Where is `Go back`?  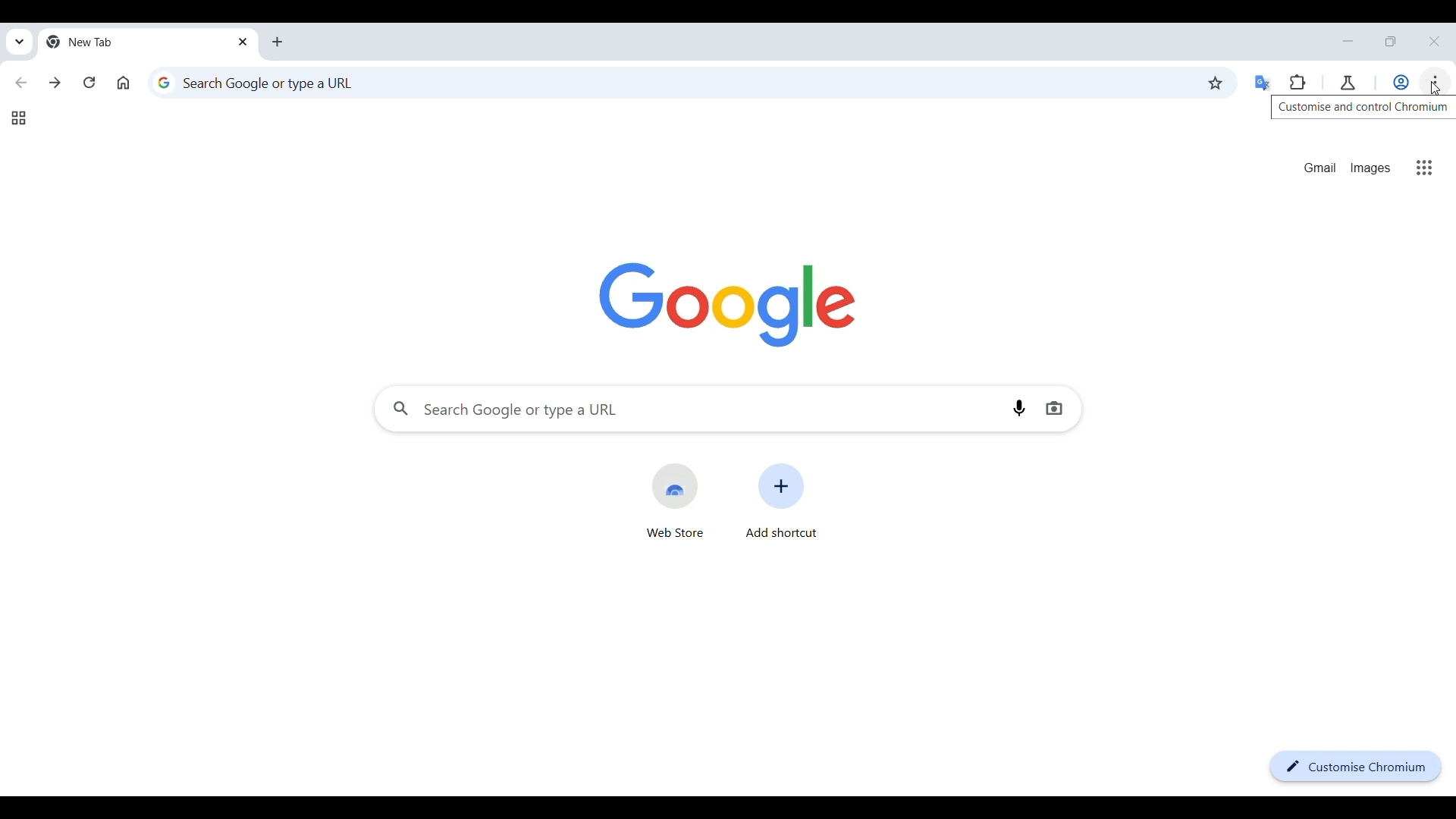
Go back is located at coordinates (21, 83).